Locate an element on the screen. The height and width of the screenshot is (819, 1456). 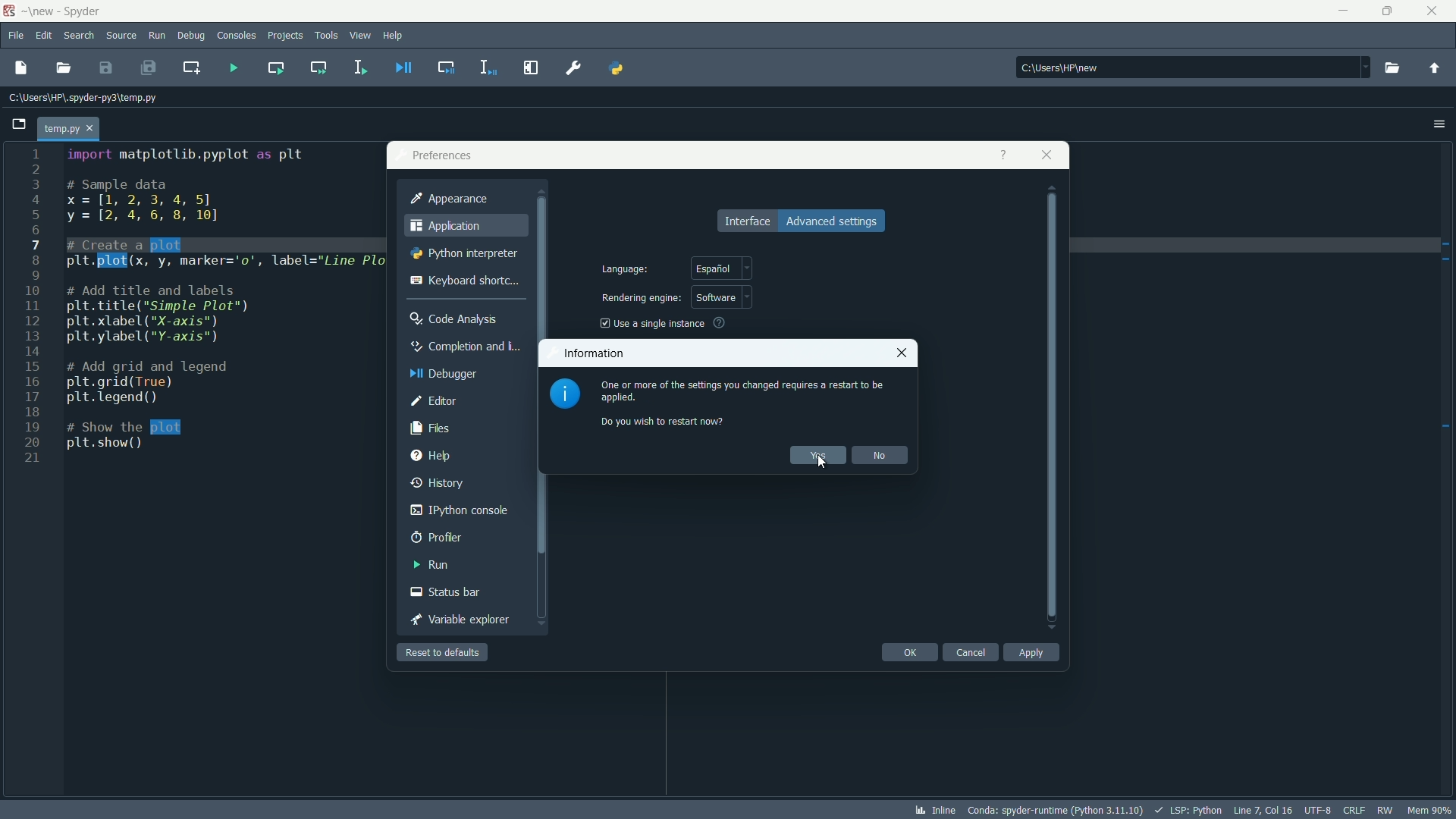
checkbox is located at coordinates (601, 324).